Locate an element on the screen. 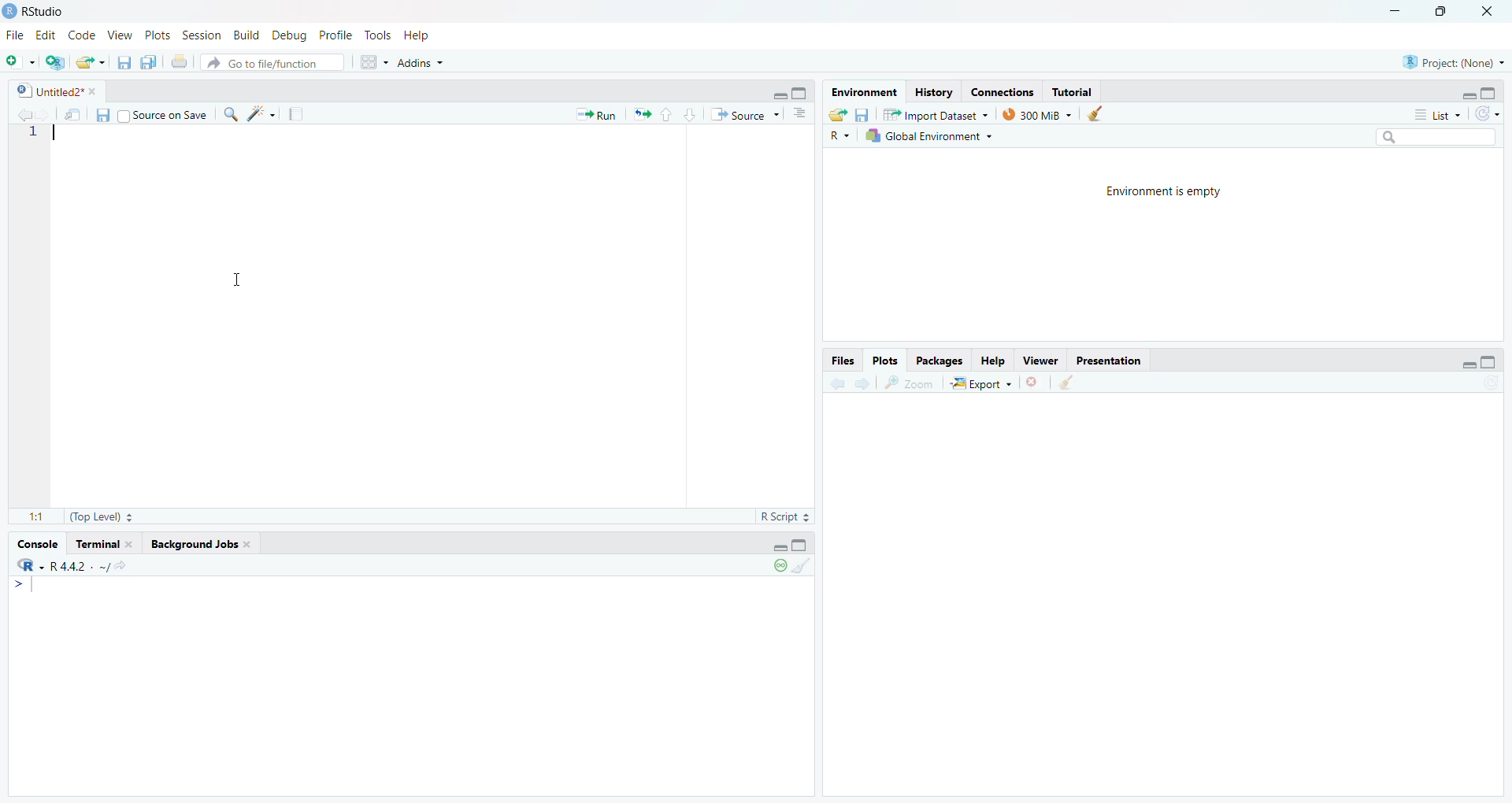 The height and width of the screenshot is (803, 1512). clear console is located at coordinates (802, 568).